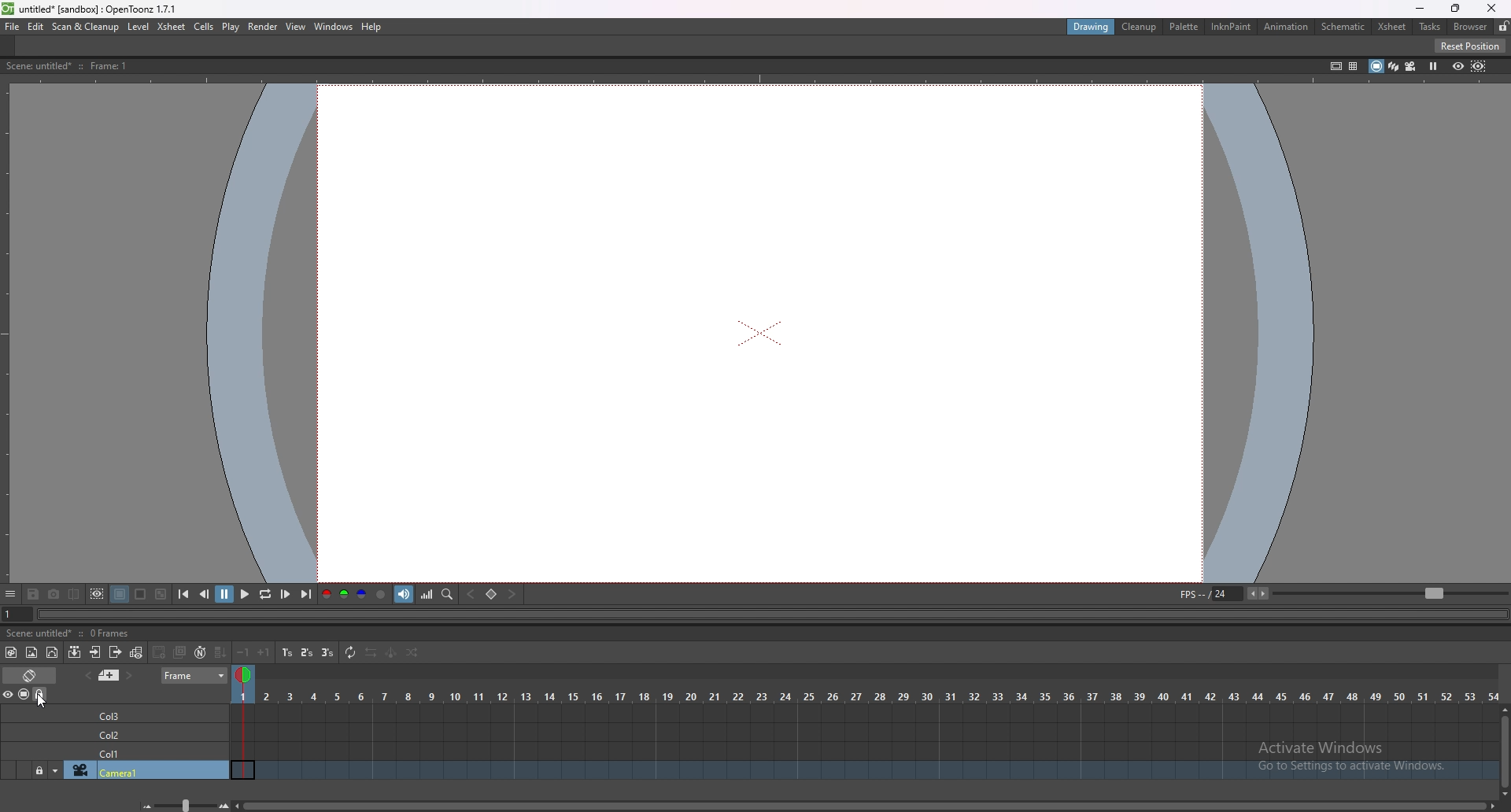 The height and width of the screenshot is (812, 1511). What do you see at coordinates (448, 595) in the screenshot?
I see `locator` at bounding box center [448, 595].